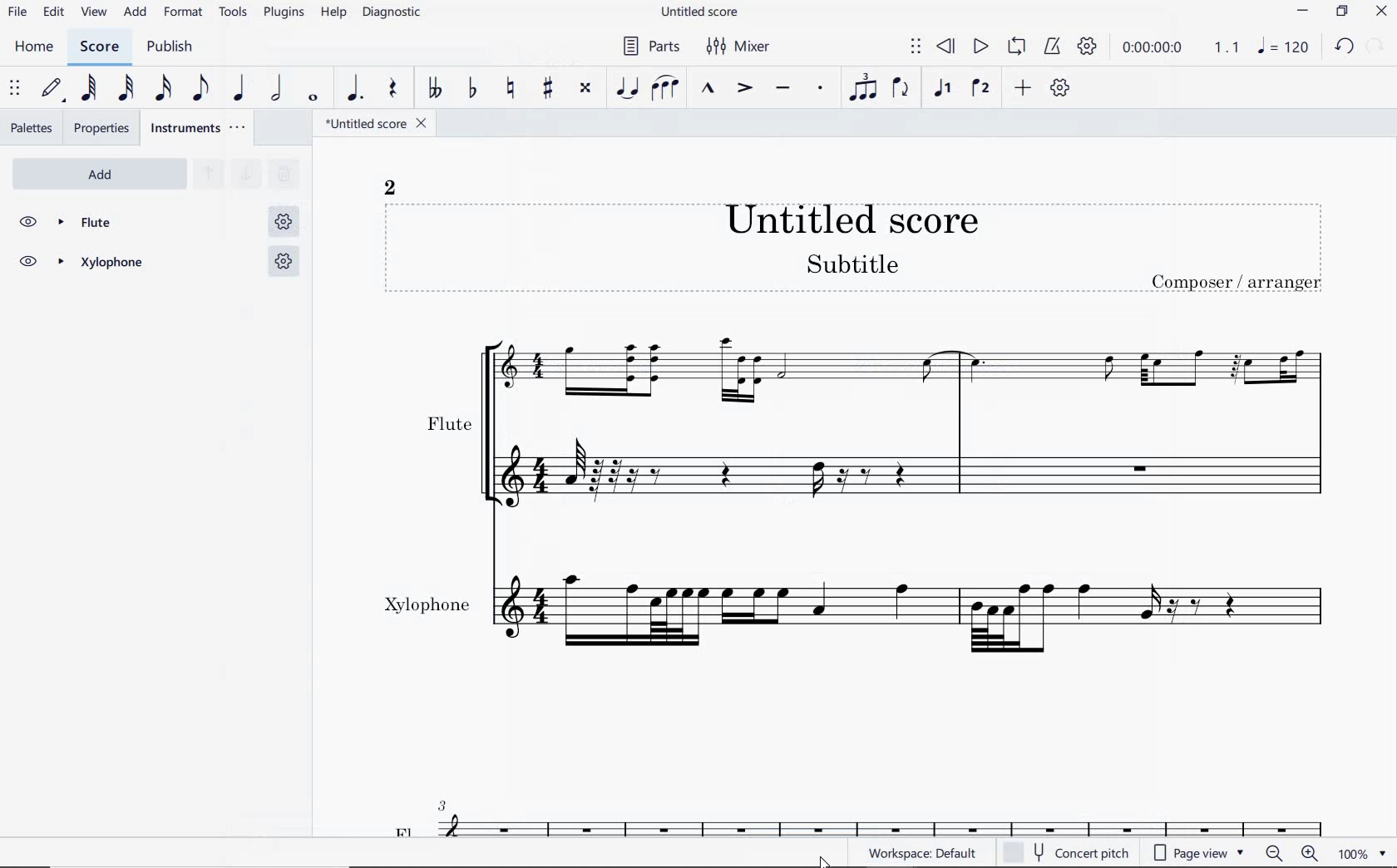 The image size is (1397, 868). Describe the element at coordinates (136, 12) in the screenshot. I see `ADD` at that location.